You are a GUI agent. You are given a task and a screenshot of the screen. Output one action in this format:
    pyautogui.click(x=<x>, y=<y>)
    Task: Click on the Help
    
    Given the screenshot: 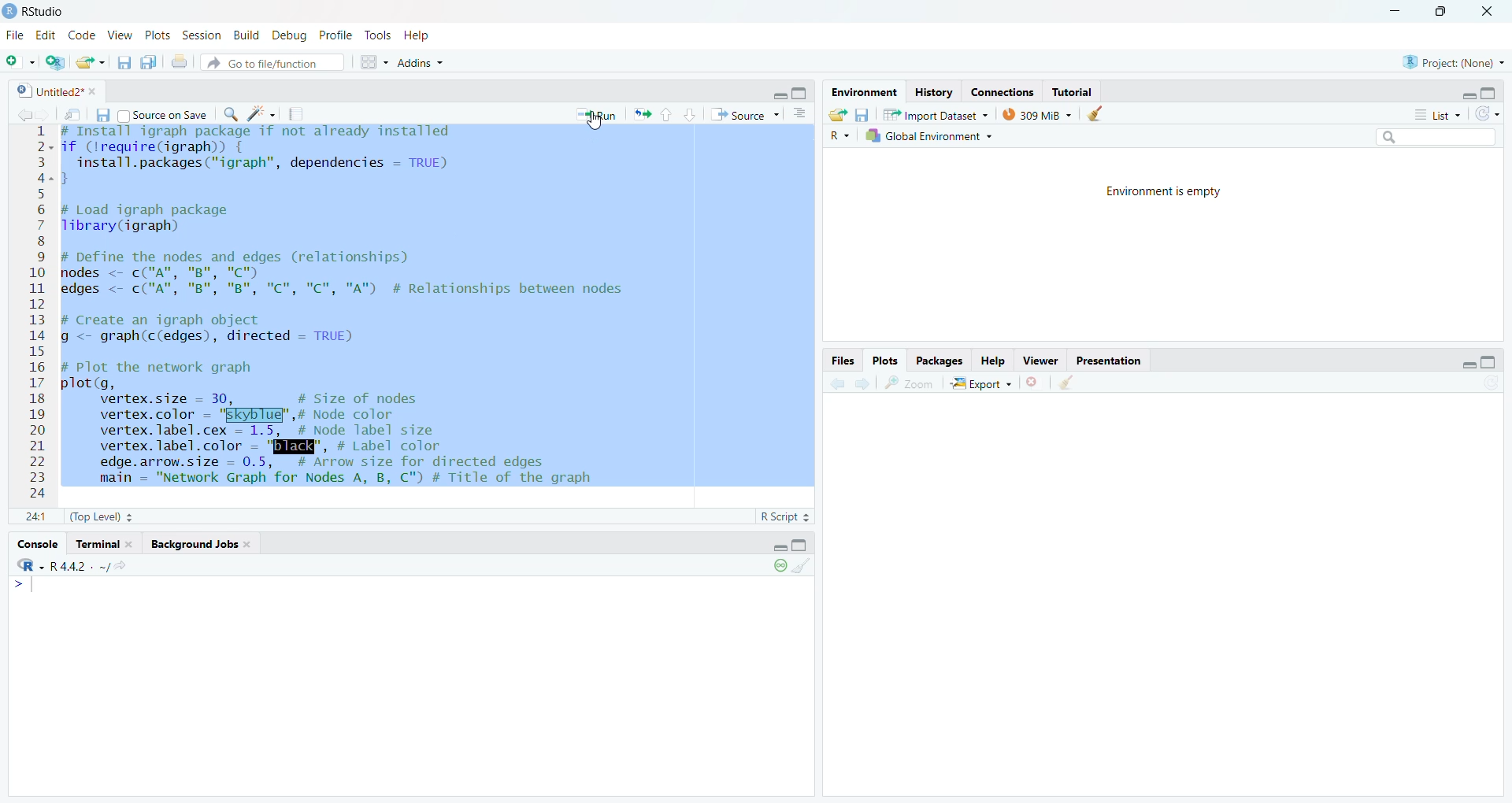 What is the action you would take?
    pyautogui.click(x=424, y=37)
    